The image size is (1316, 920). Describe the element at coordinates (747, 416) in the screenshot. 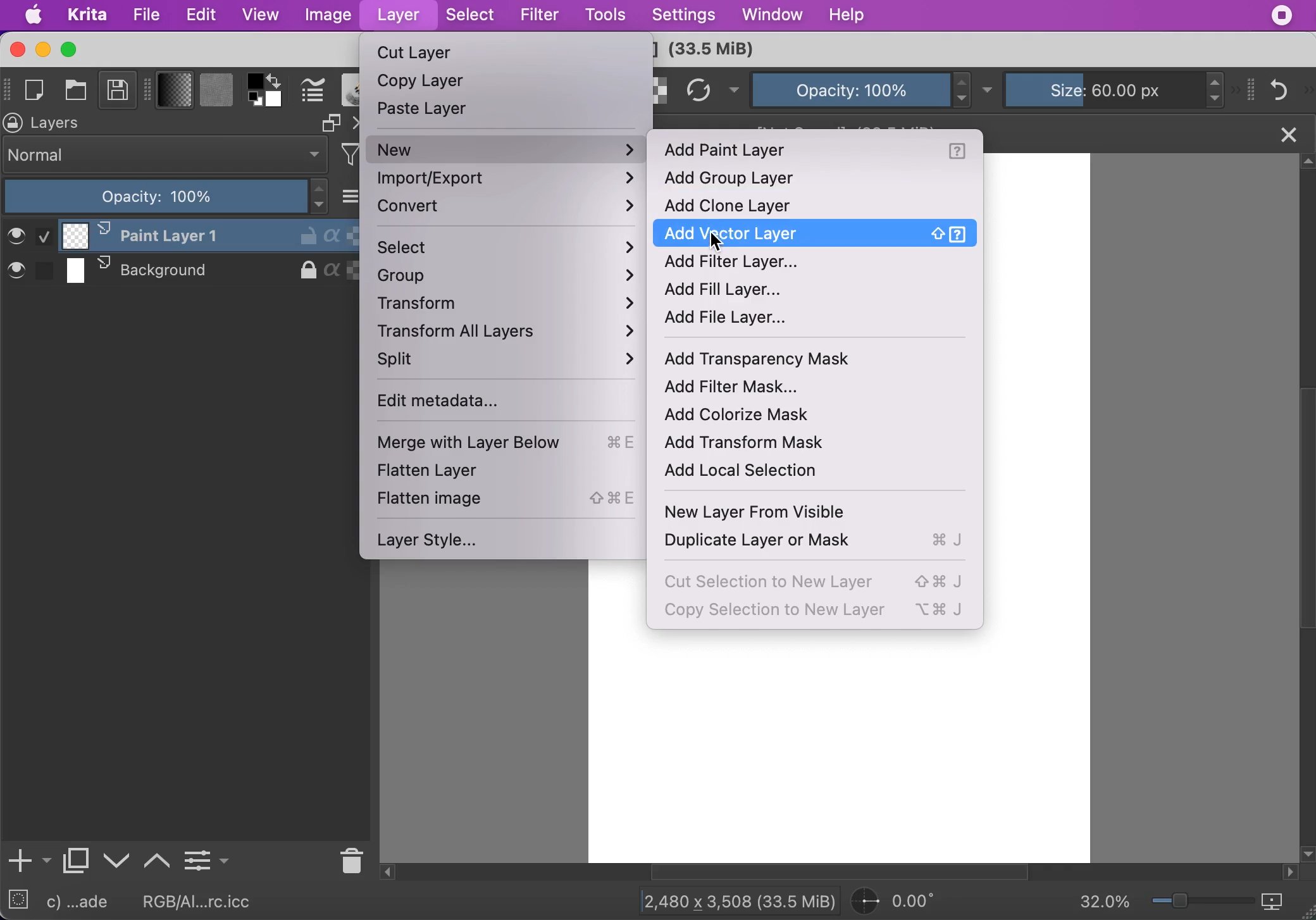

I see `add colorize mask` at that location.